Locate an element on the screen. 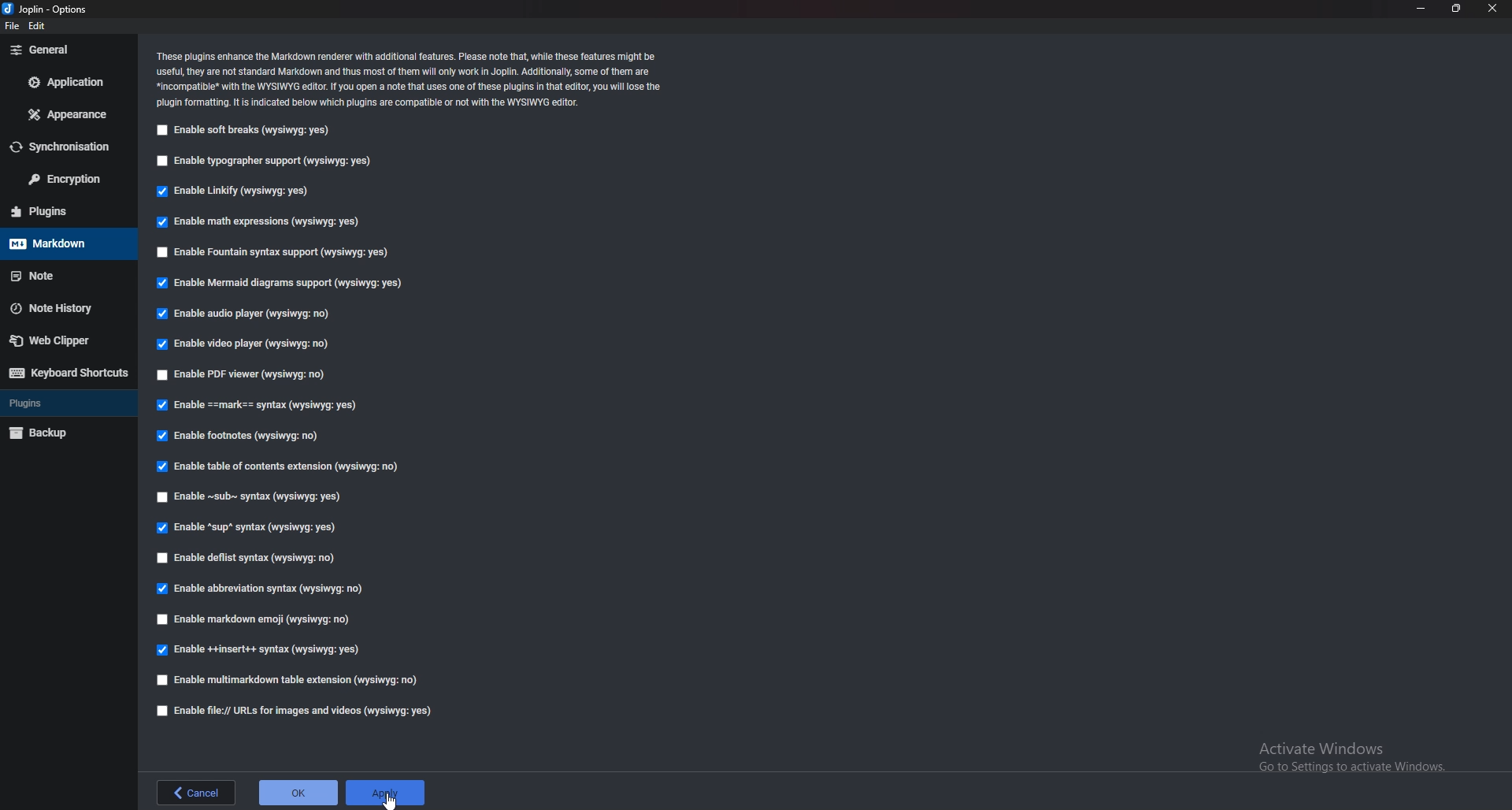 This screenshot has height=810, width=1512. enable audio player is located at coordinates (251, 313).